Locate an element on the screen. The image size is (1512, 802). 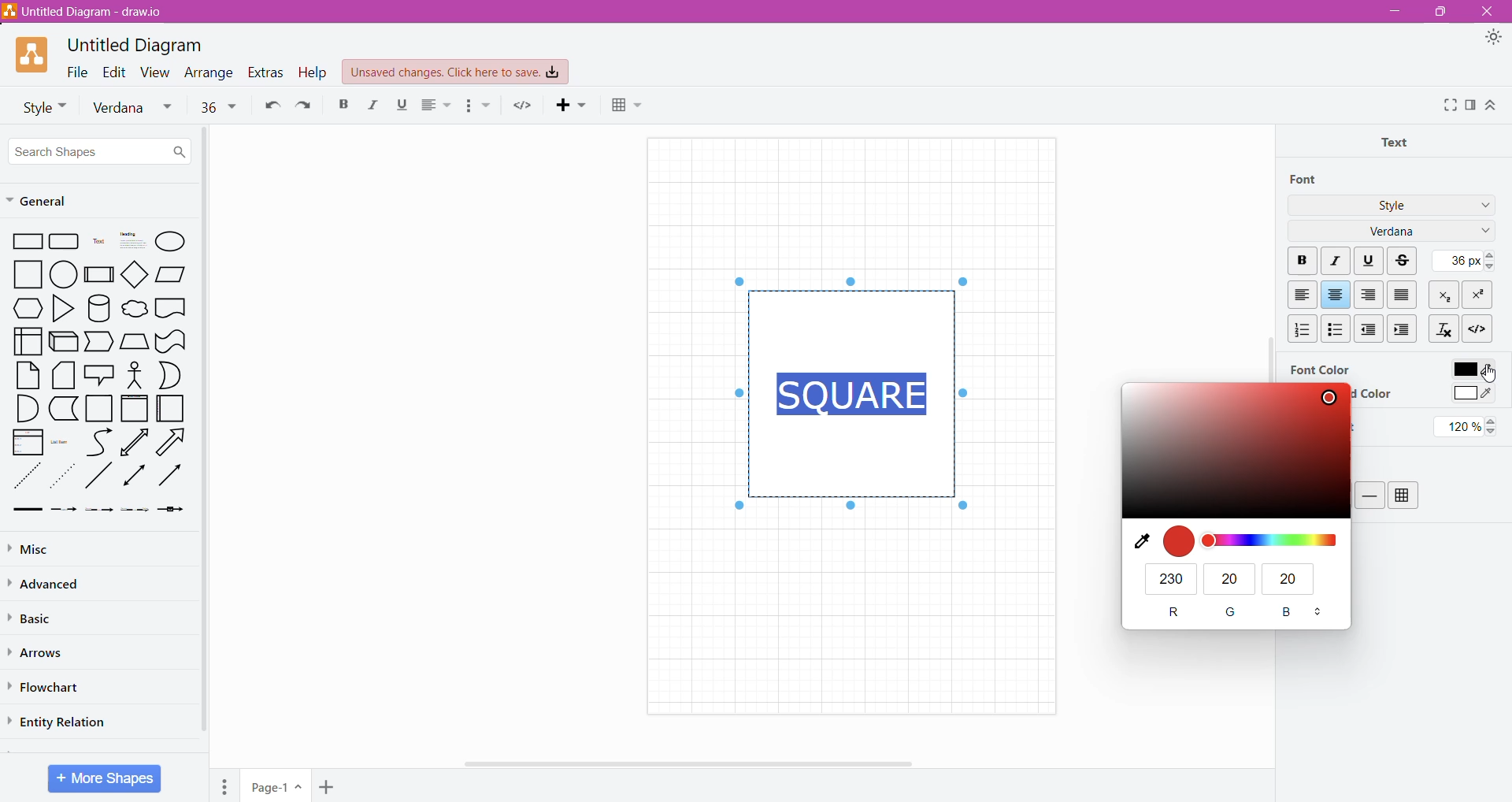
Text is located at coordinates (99, 241).